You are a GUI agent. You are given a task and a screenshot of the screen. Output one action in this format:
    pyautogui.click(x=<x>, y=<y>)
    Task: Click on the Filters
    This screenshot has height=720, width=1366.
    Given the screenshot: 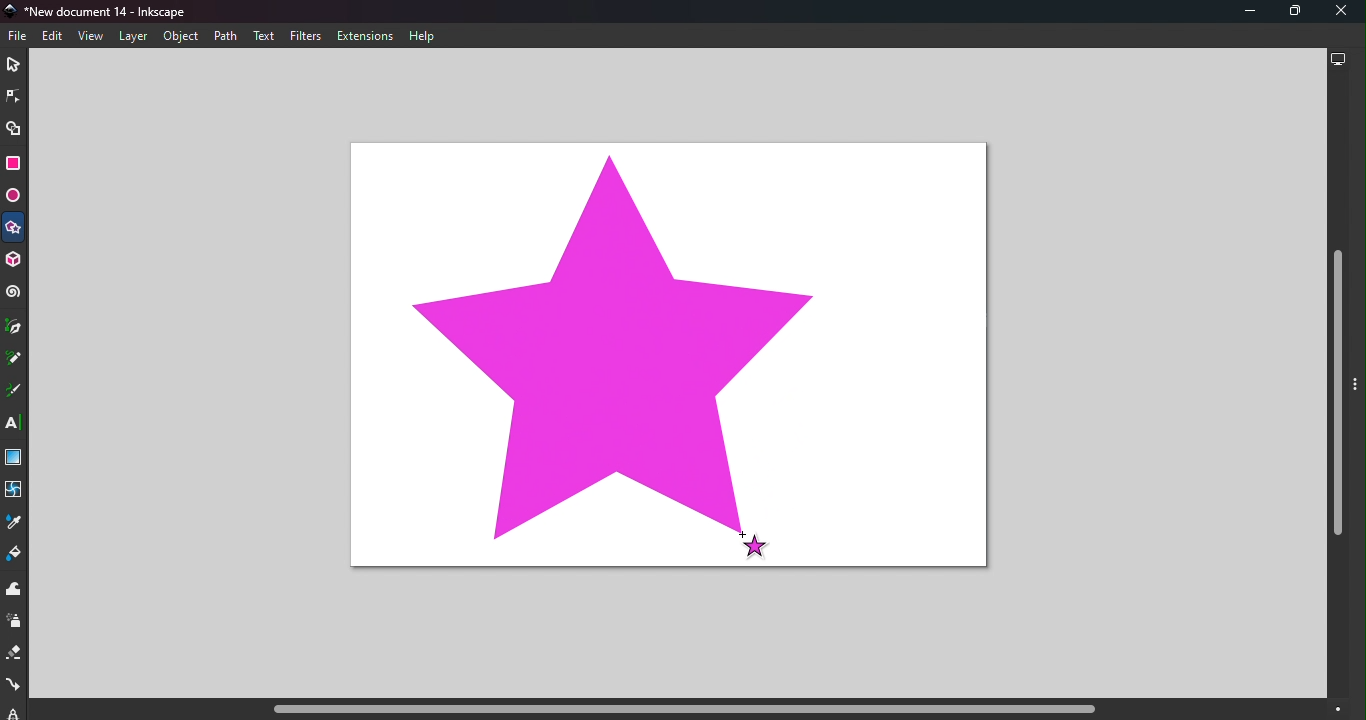 What is the action you would take?
    pyautogui.click(x=306, y=36)
    